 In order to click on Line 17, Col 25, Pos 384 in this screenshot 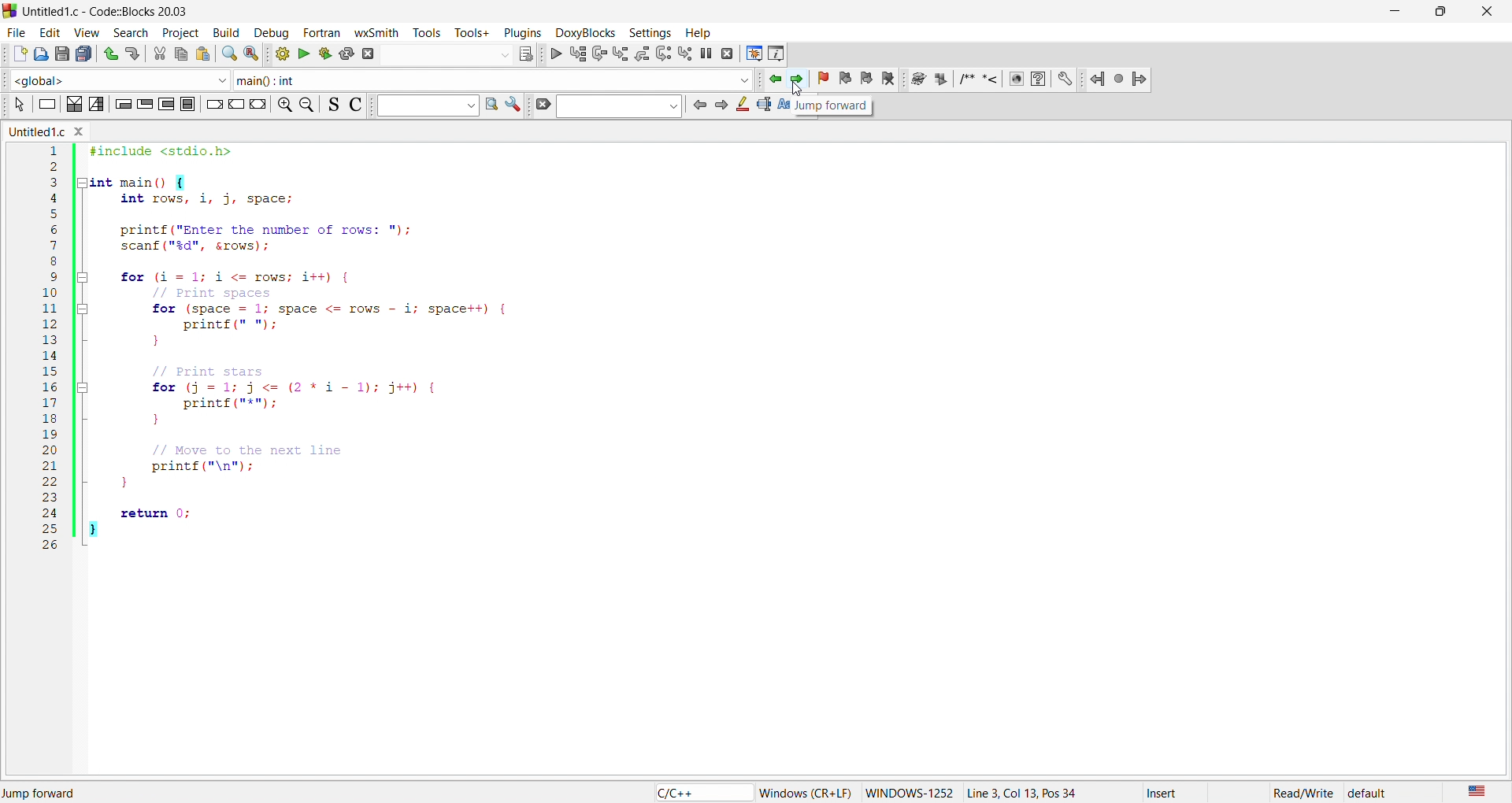, I will do `click(1035, 790)`.